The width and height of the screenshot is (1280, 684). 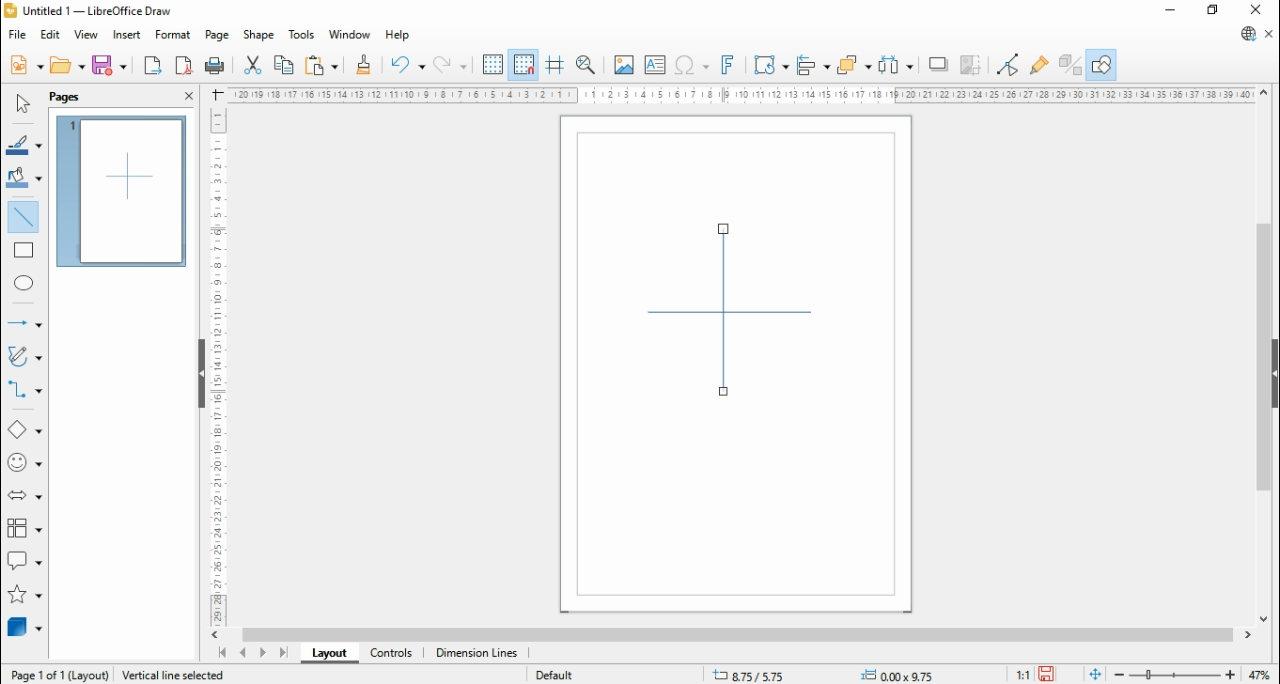 I want to click on 1:1, so click(x=1021, y=675).